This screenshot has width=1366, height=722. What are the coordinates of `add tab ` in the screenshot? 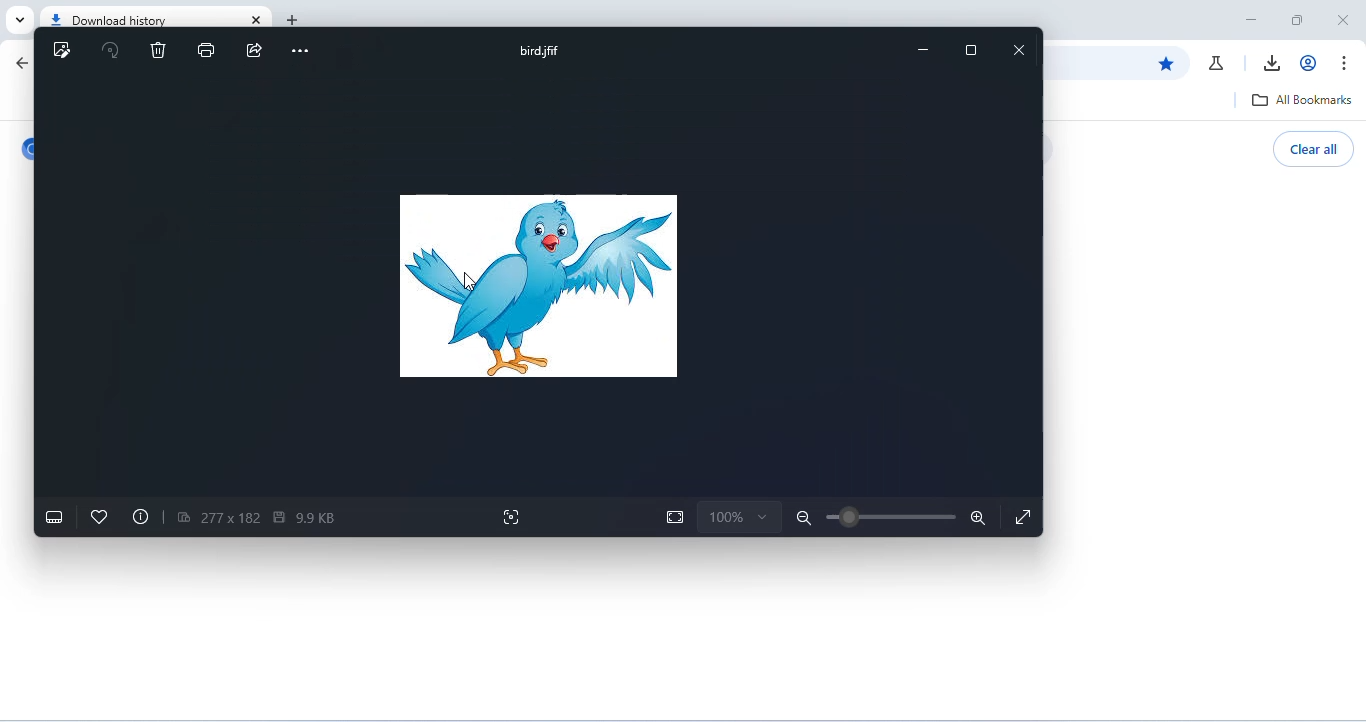 It's located at (295, 18).